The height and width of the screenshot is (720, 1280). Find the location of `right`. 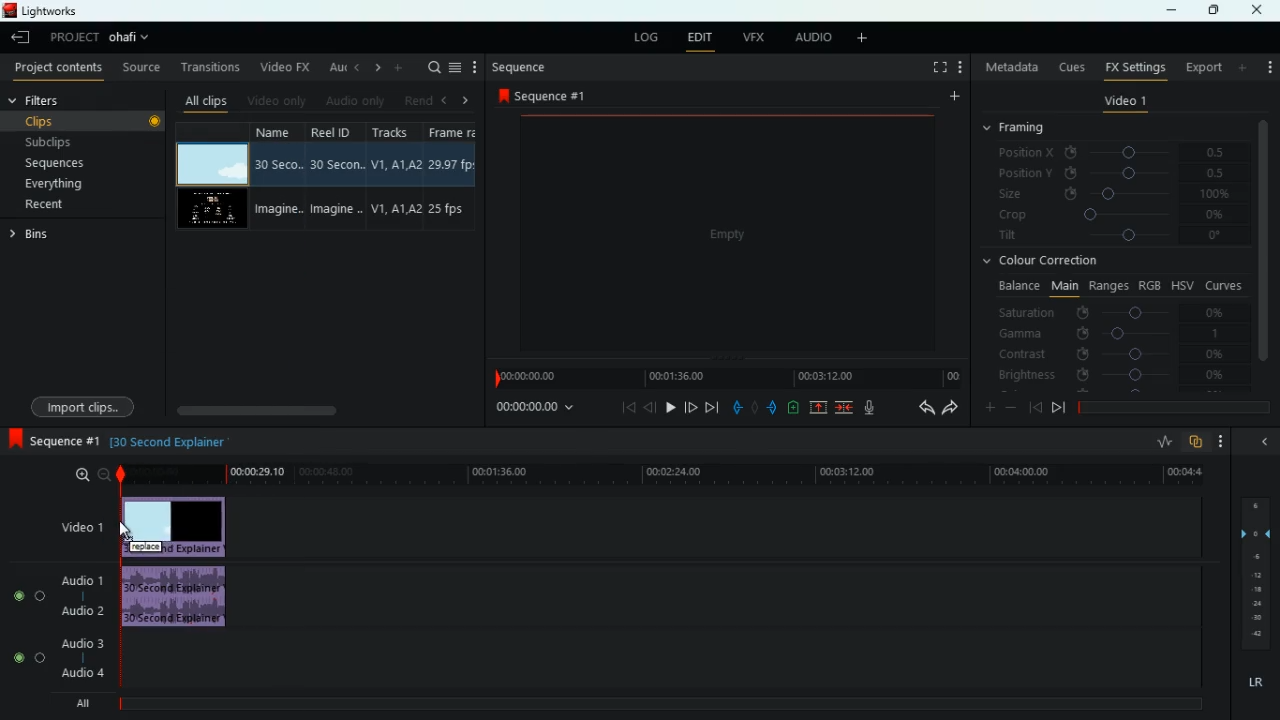

right is located at coordinates (374, 67).